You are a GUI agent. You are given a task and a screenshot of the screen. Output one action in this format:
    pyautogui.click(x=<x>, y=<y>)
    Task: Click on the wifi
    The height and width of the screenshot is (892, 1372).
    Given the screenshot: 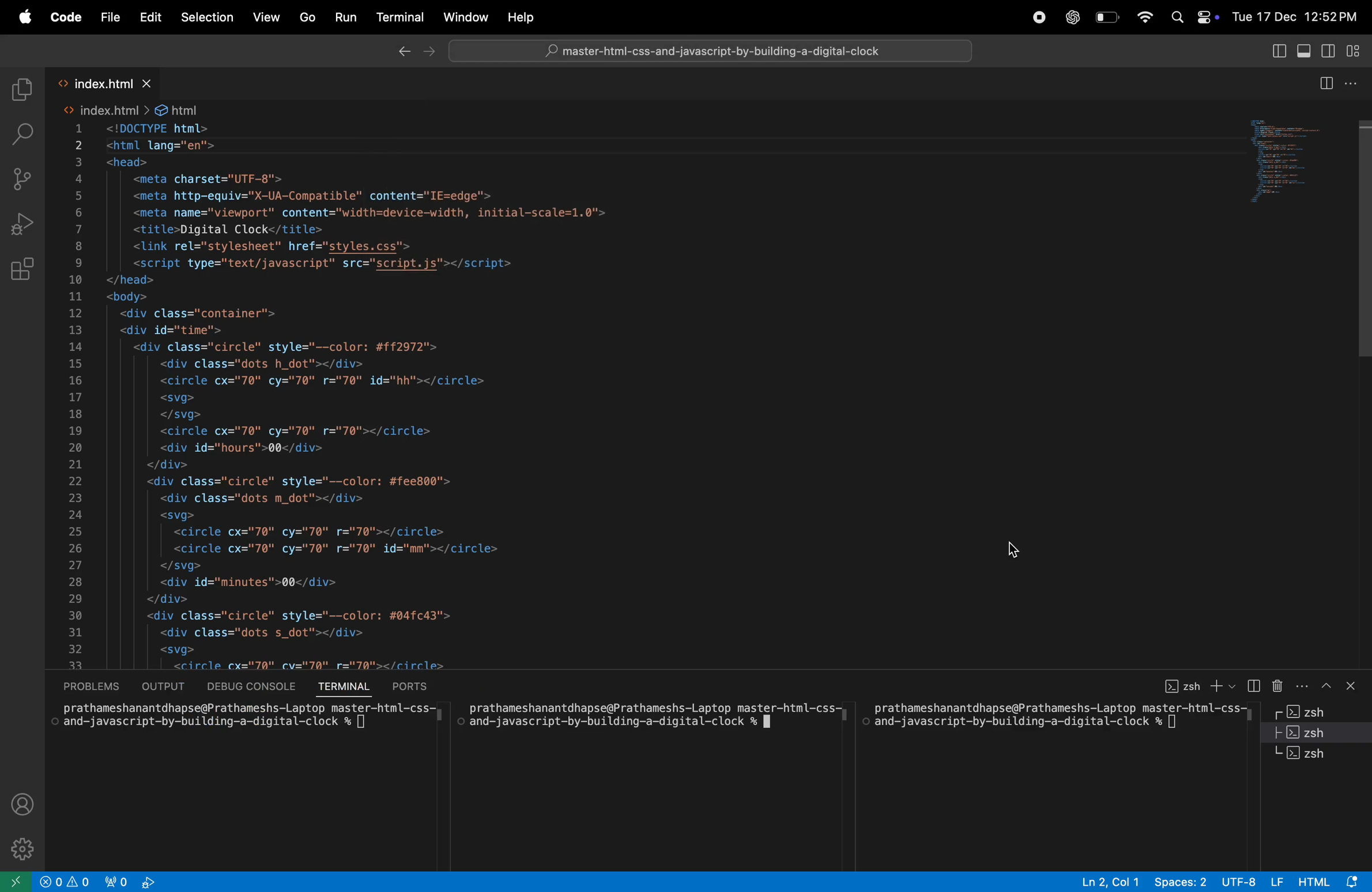 What is the action you would take?
    pyautogui.click(x=1146, y=18)
    